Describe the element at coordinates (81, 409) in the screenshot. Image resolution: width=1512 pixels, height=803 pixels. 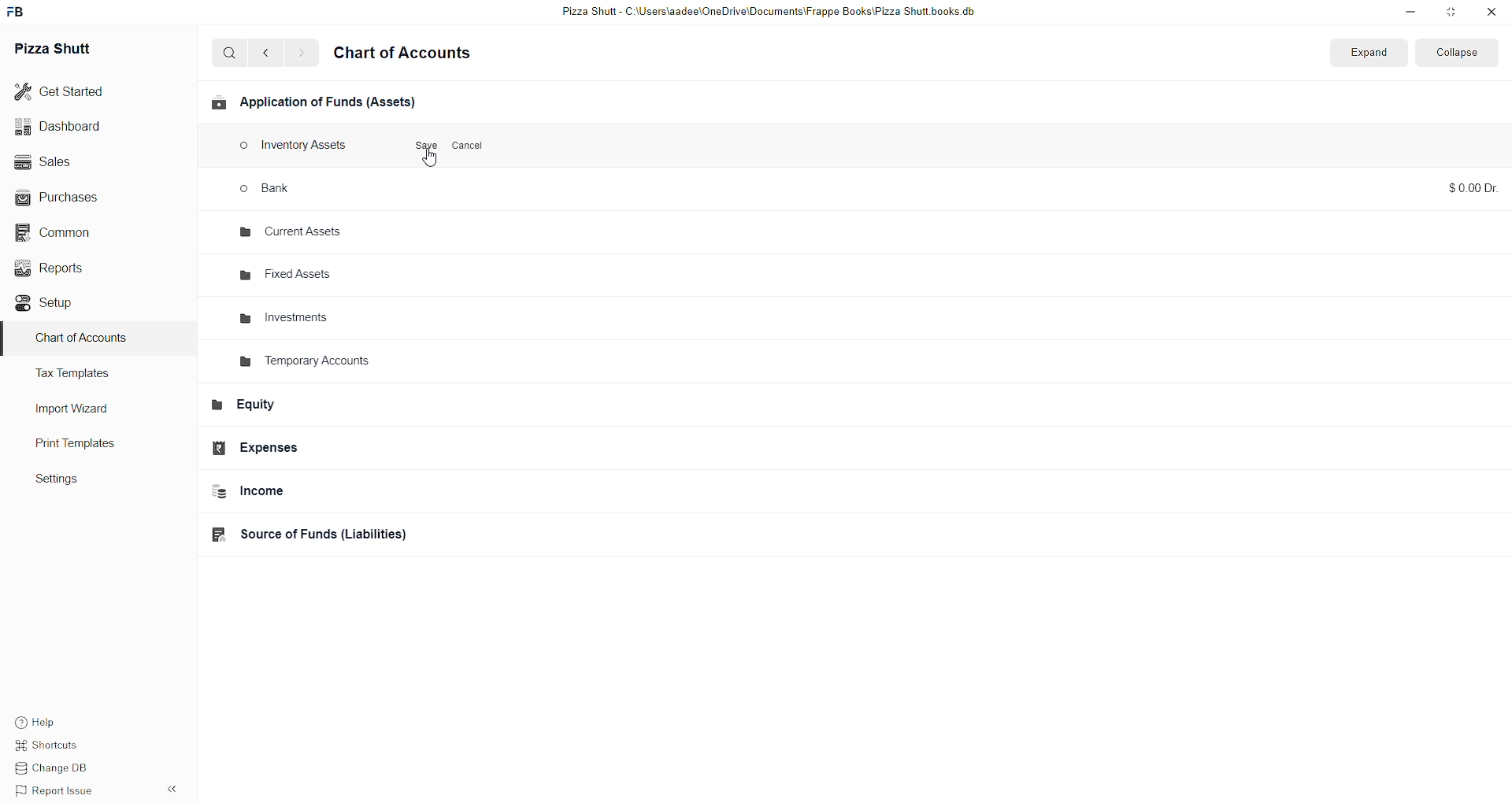
I see `Import Wizard ` at that location.